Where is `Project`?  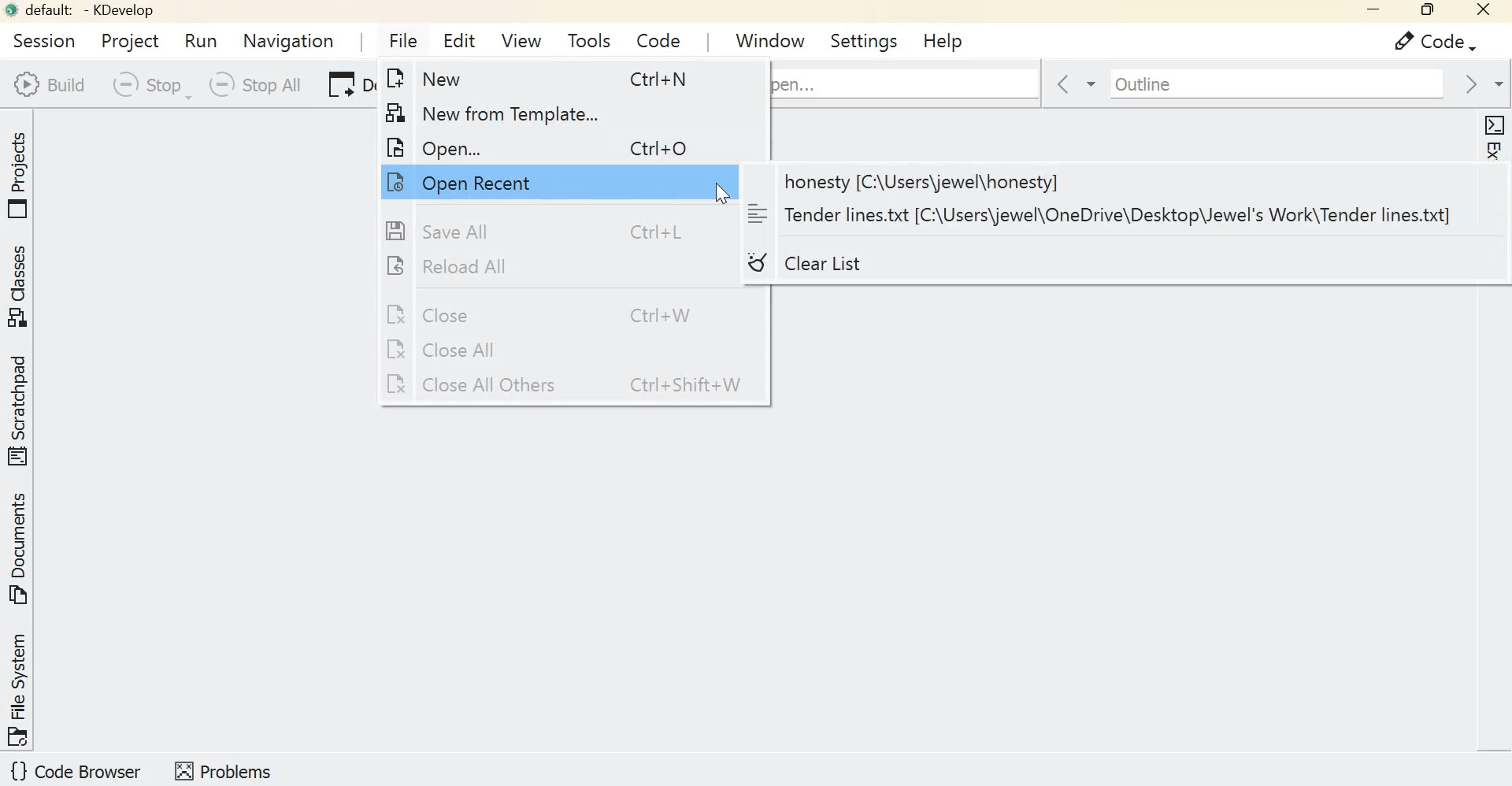 Project is located at coordinates (128, 39).